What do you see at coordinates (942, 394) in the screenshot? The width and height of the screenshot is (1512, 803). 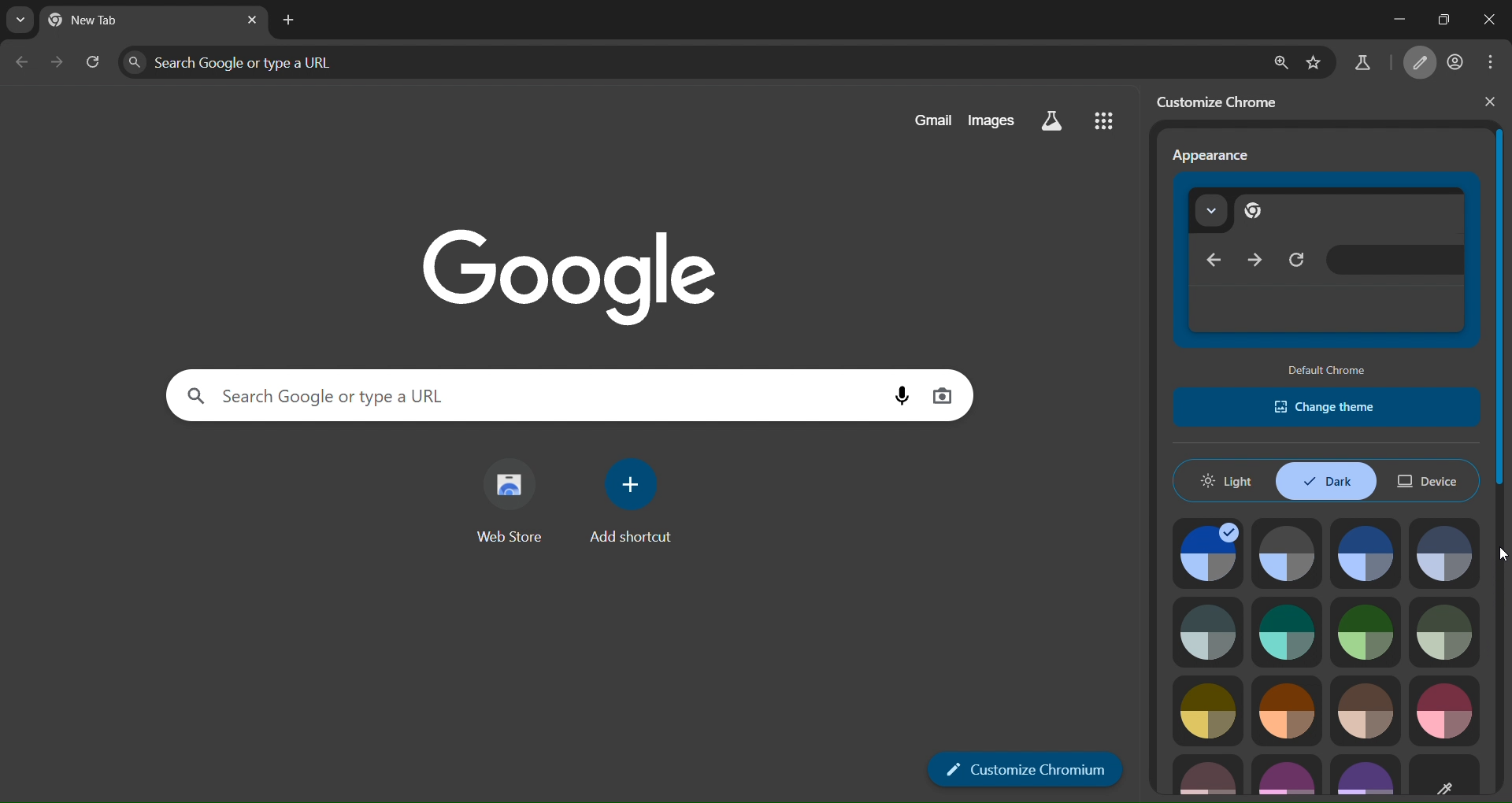 I see `image search` at bounding box center [942, 394].